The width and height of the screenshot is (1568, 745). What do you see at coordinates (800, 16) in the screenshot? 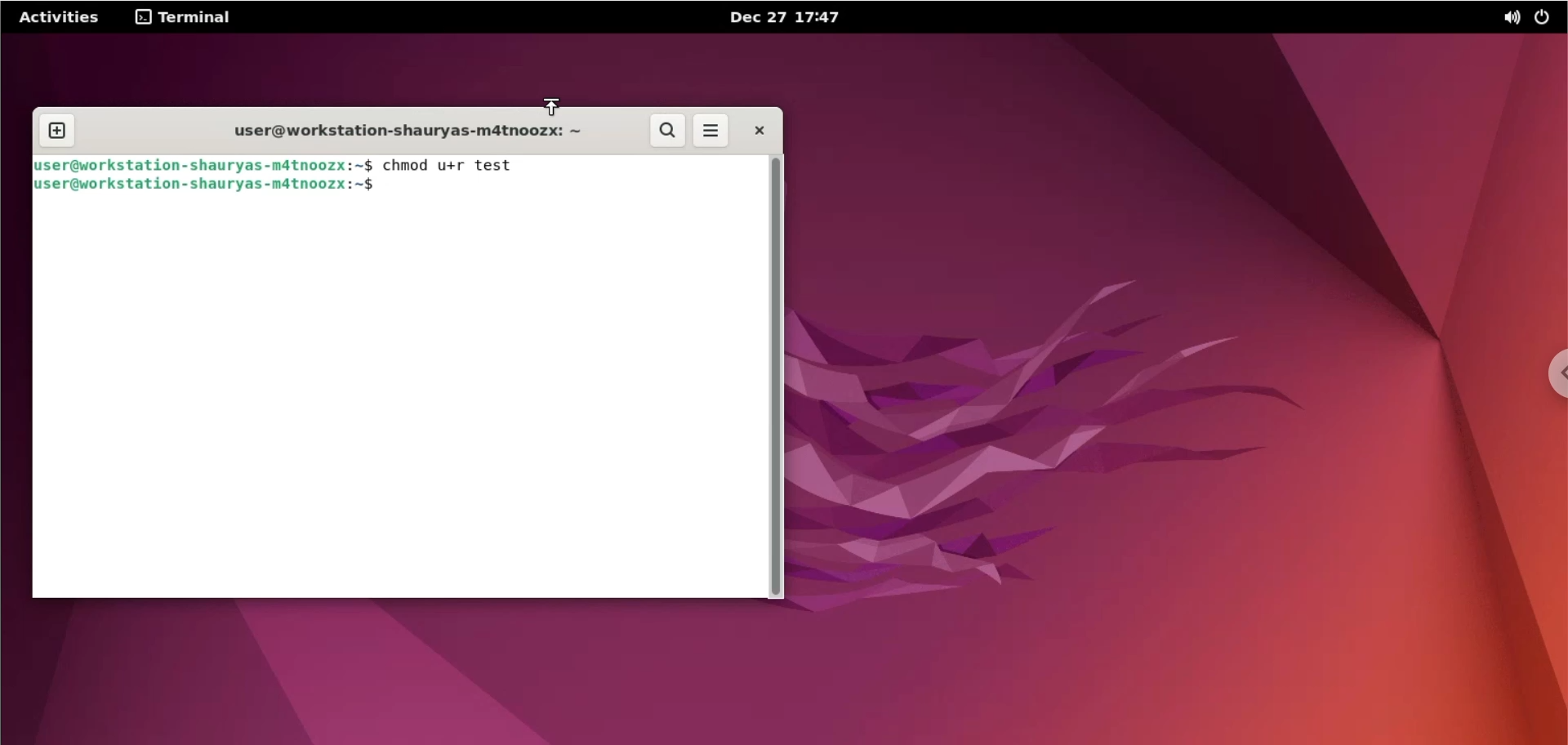
I see `Dec 27 17:47` at bounding box center [800, 16].